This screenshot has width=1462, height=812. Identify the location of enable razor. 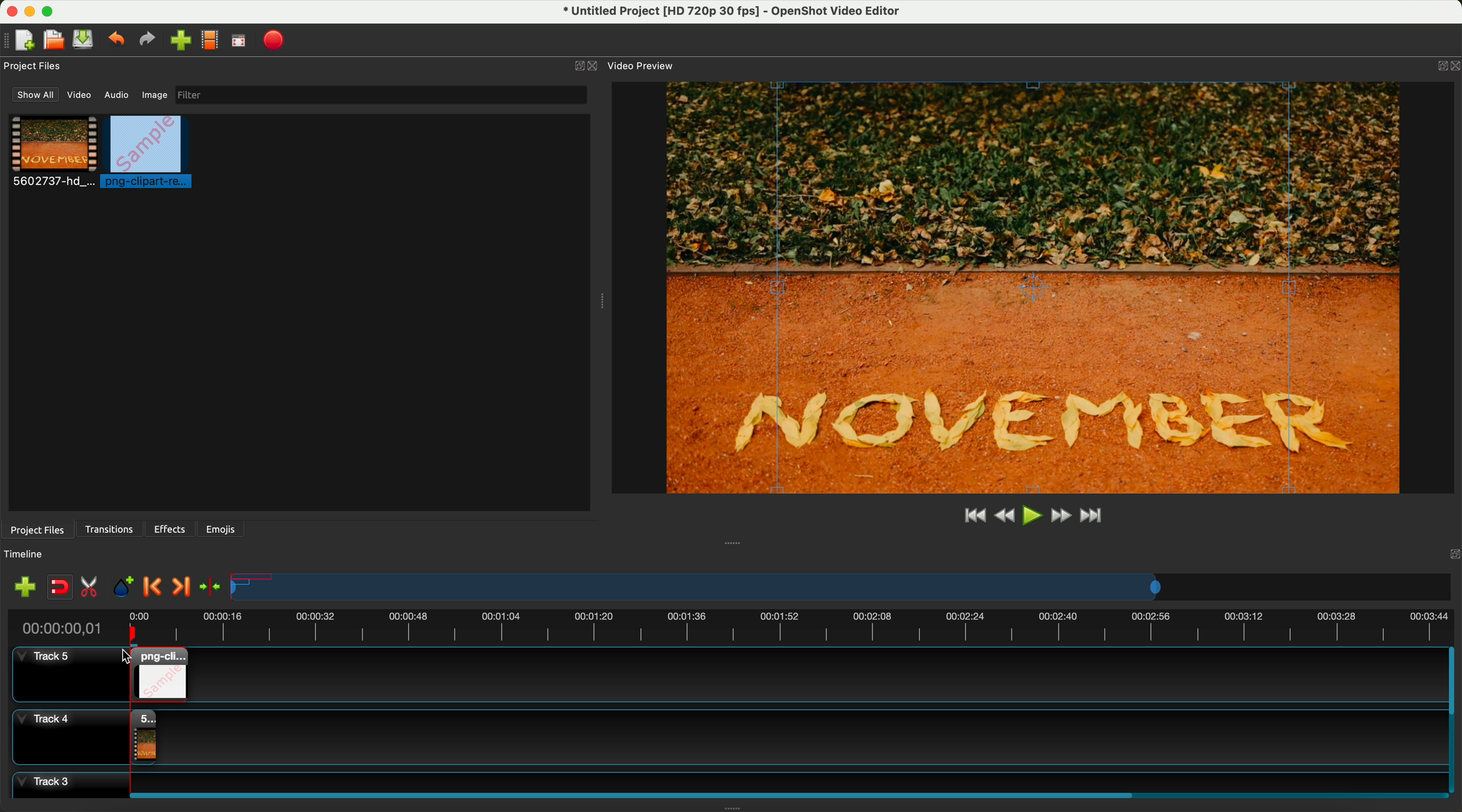
(92, 589).